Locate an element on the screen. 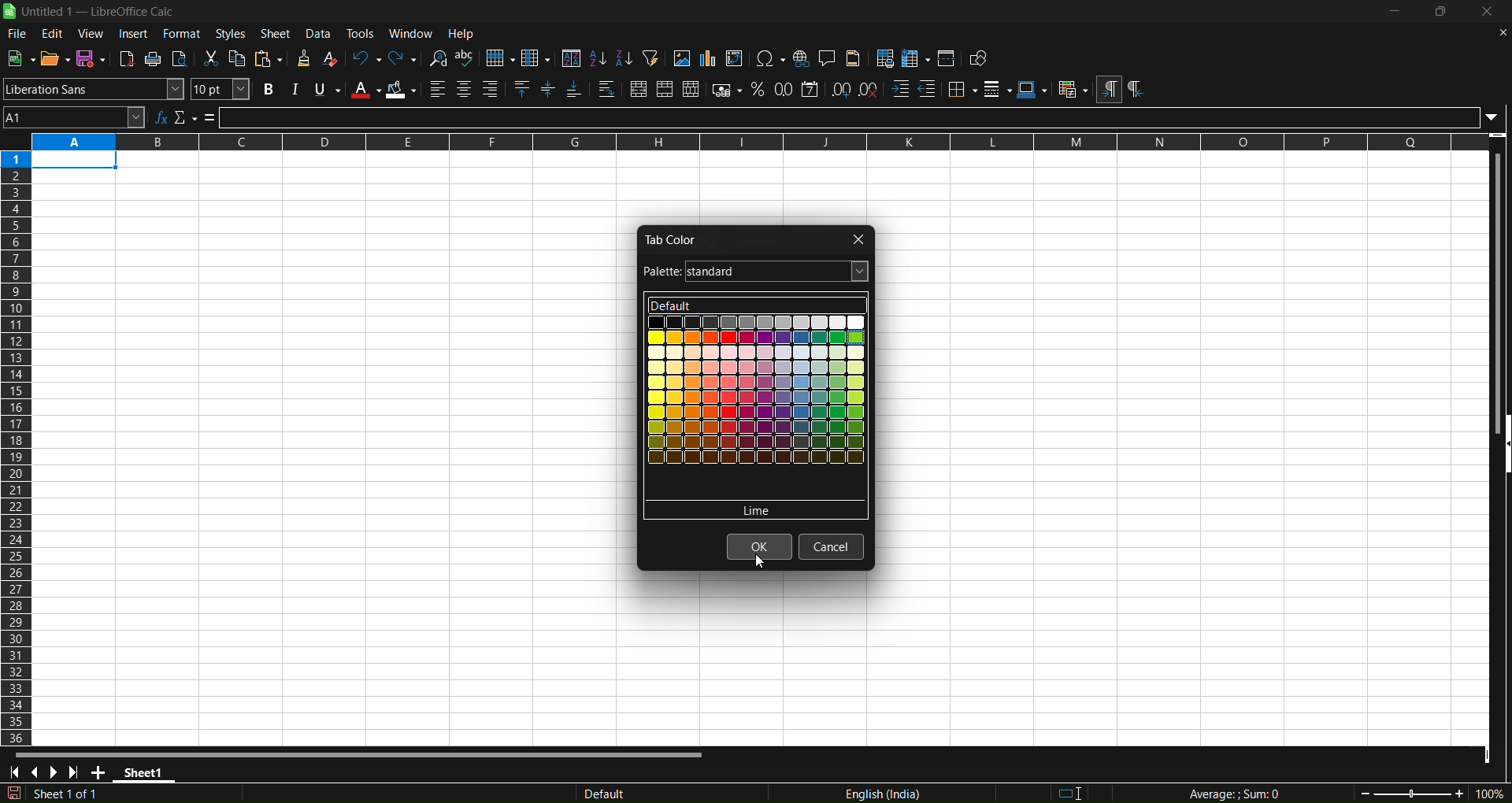 This screenshot has width=1512, height=803. close document is located at coordinates (1499, 31).